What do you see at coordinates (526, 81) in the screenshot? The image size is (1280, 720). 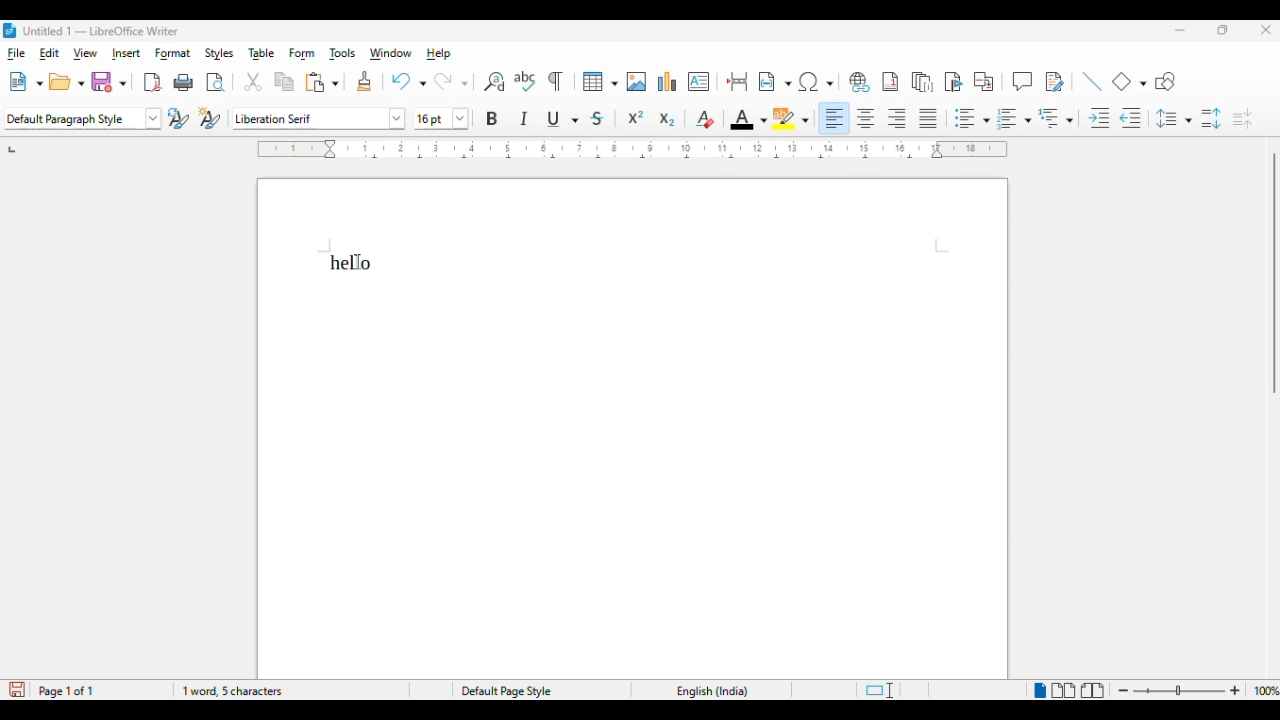 I see `check spelling` at bounding box center [526, 81].